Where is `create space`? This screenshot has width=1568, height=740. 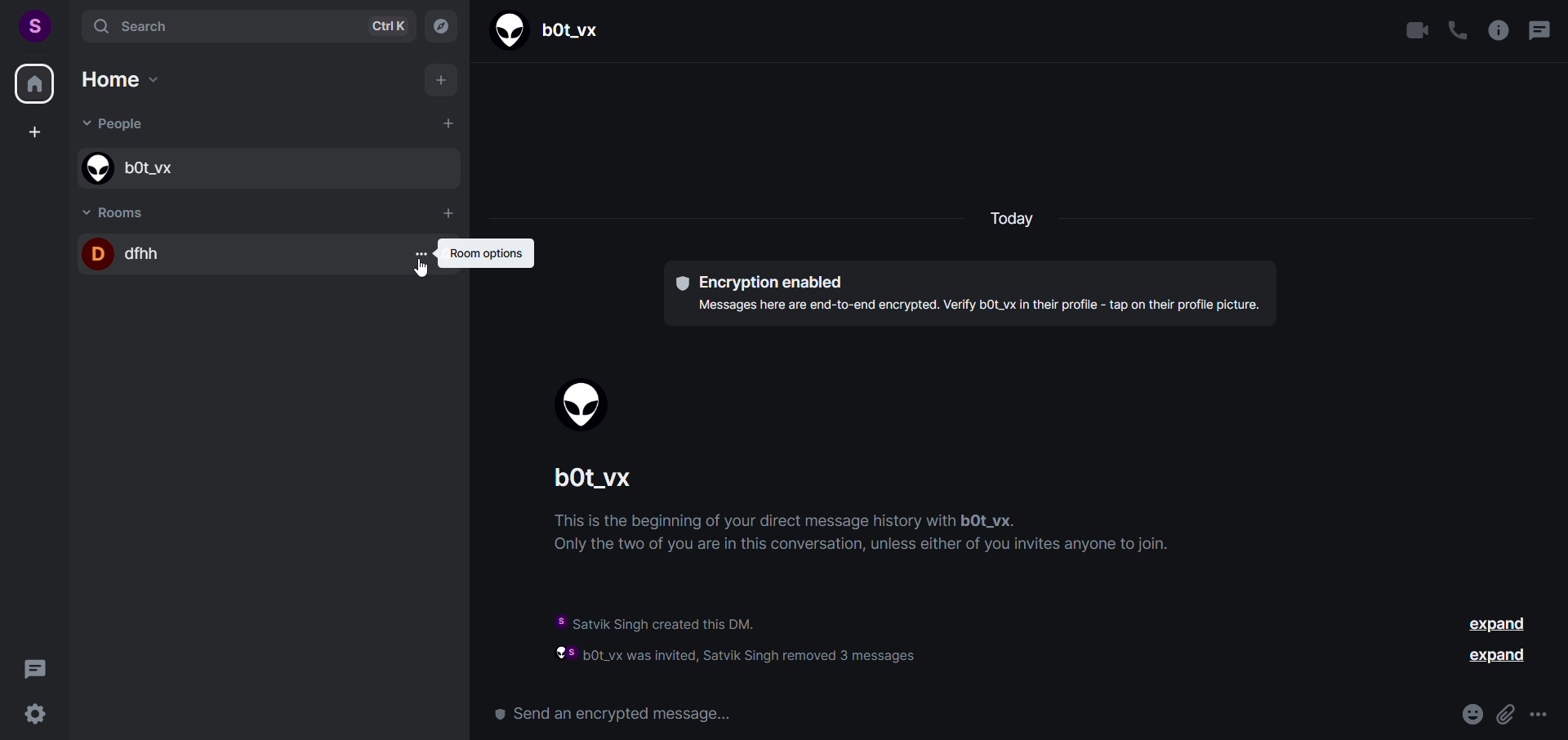 create space is located at coordinates (33, 133).